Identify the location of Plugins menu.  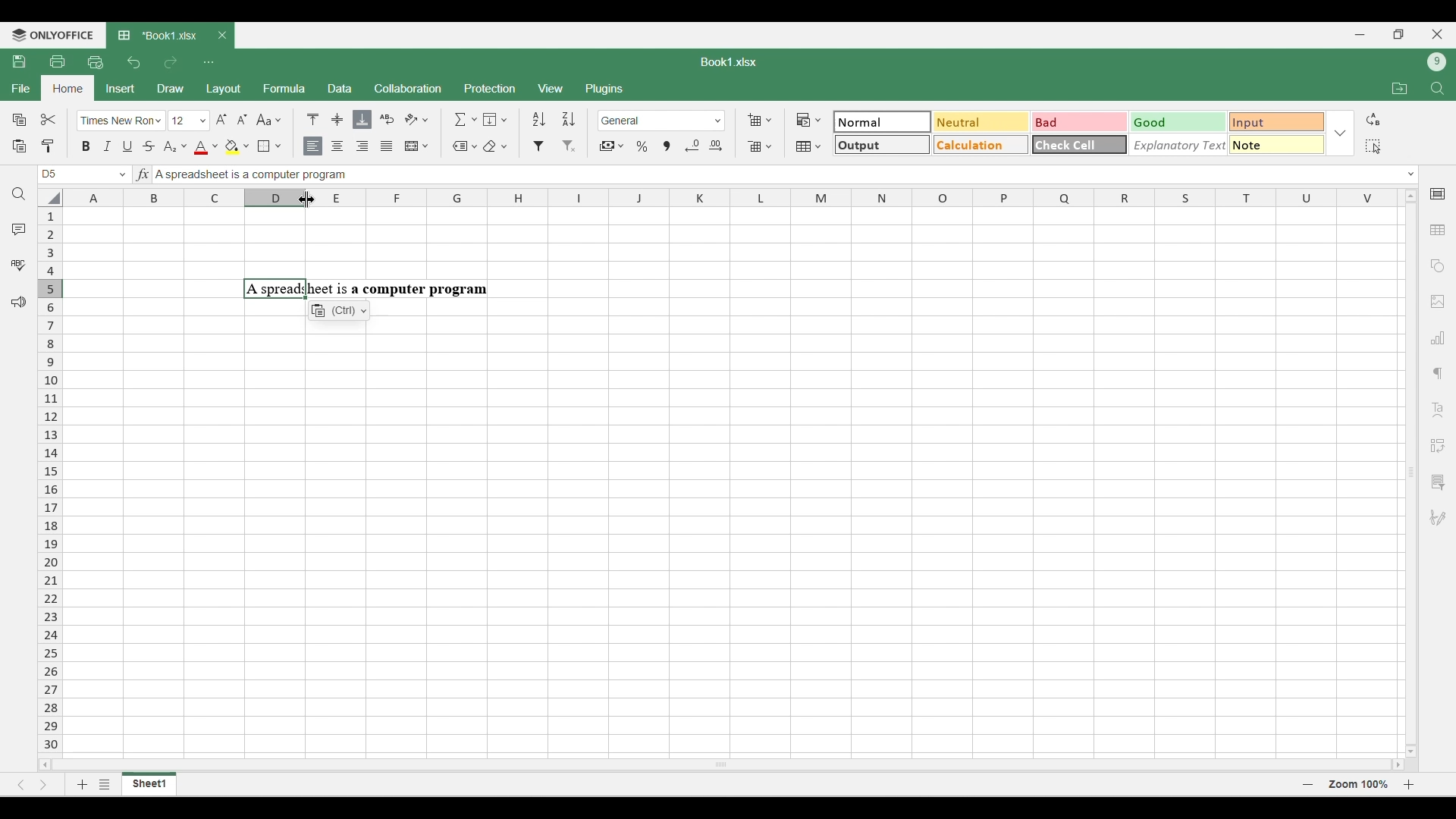
(606, 89).